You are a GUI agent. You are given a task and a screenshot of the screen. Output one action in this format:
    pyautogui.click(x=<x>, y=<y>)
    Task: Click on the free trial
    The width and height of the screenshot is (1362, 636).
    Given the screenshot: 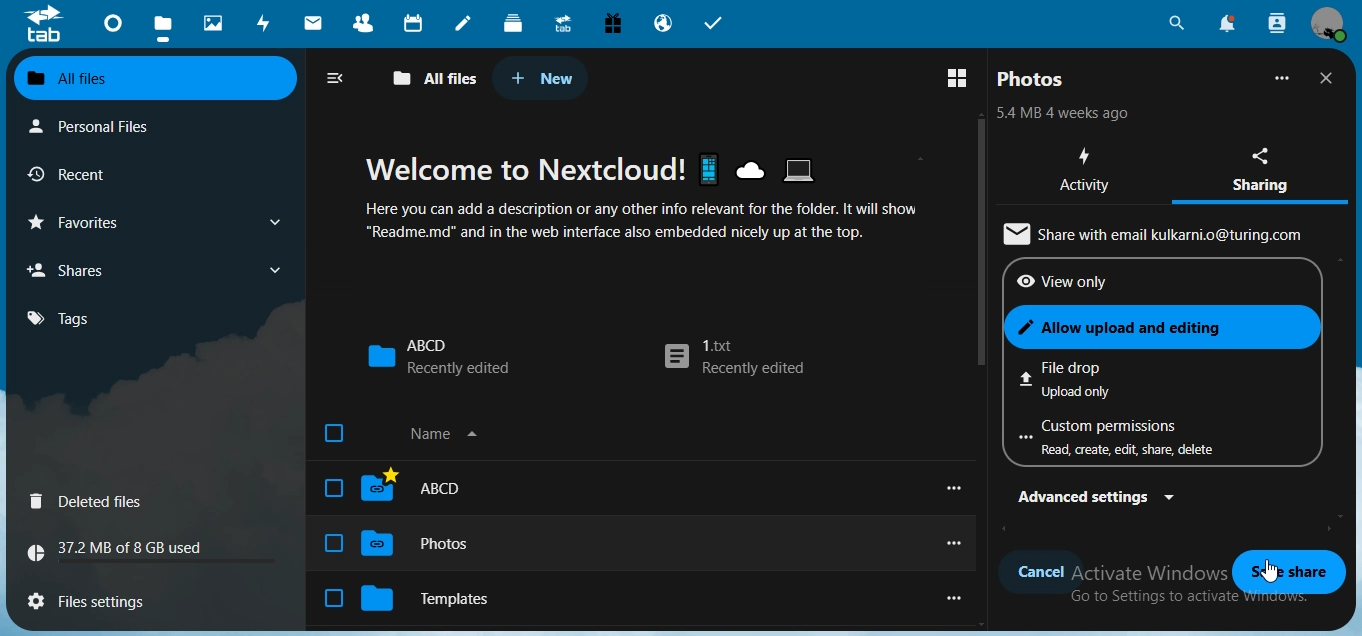 What is the action you would take?
    pyautogui.click(x=613, y=24)
    